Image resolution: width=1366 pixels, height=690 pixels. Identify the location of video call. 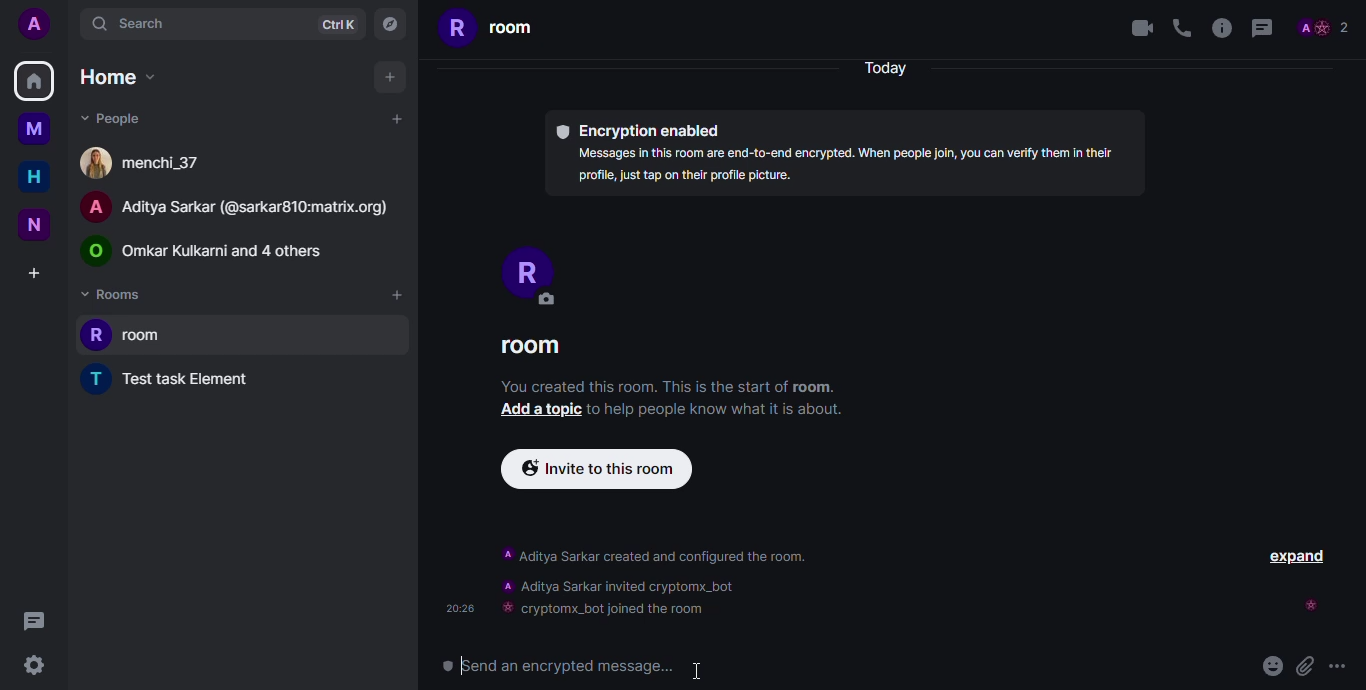
(1137, 31).